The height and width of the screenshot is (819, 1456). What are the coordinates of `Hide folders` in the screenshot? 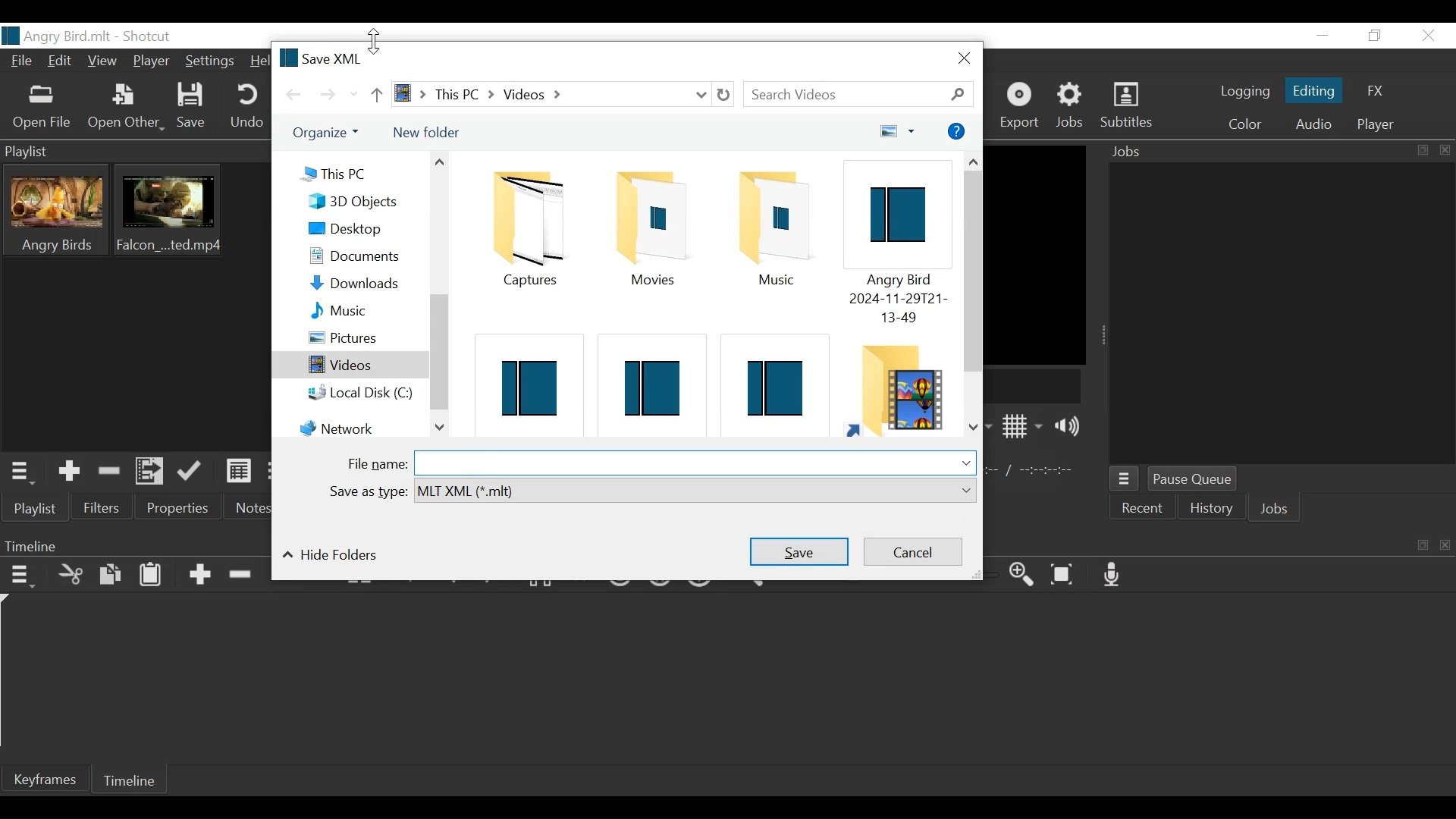 It's located at (328, 555).